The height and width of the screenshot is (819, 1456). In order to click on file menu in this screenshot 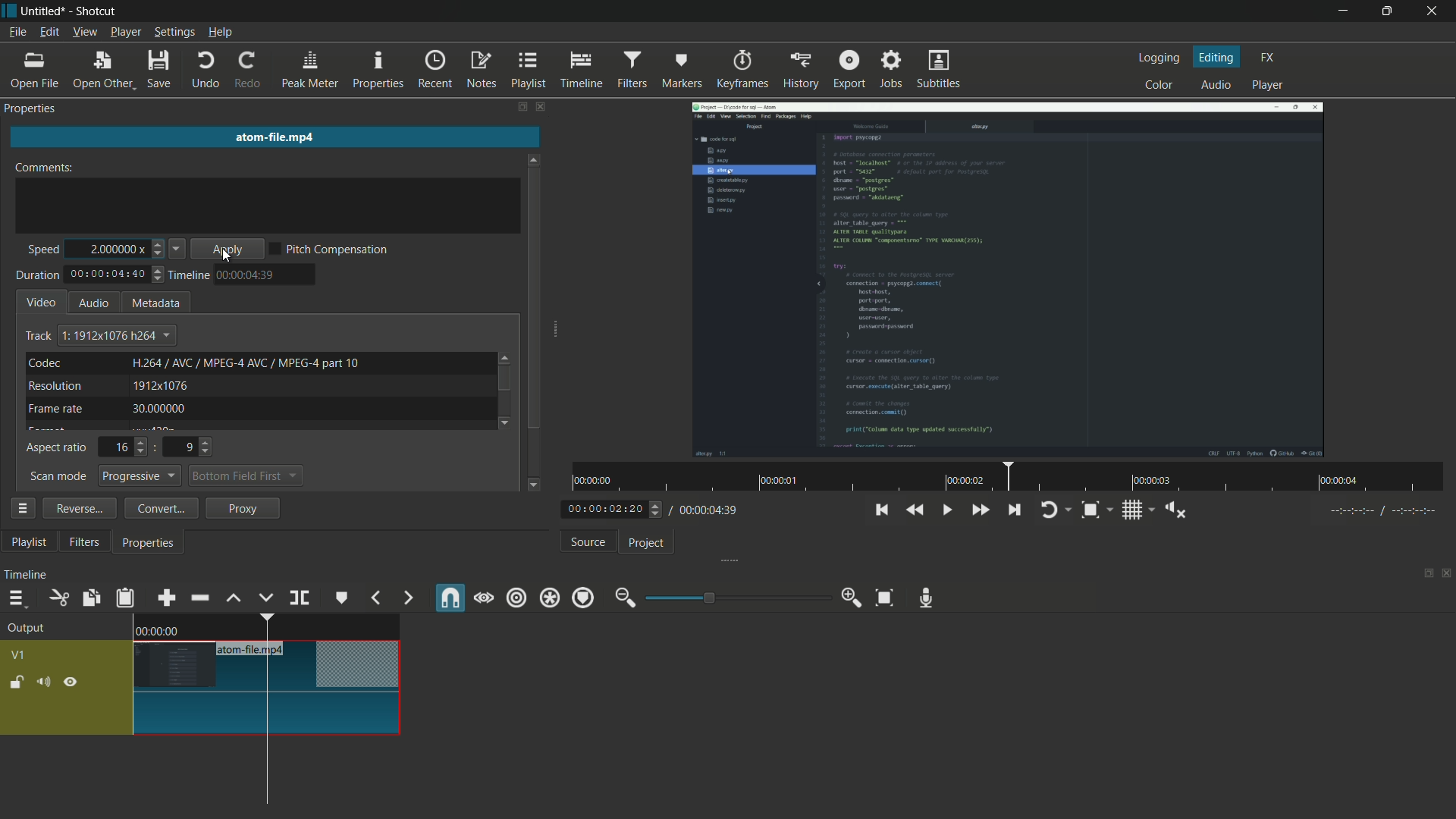, I will do `click(18, 33)`.